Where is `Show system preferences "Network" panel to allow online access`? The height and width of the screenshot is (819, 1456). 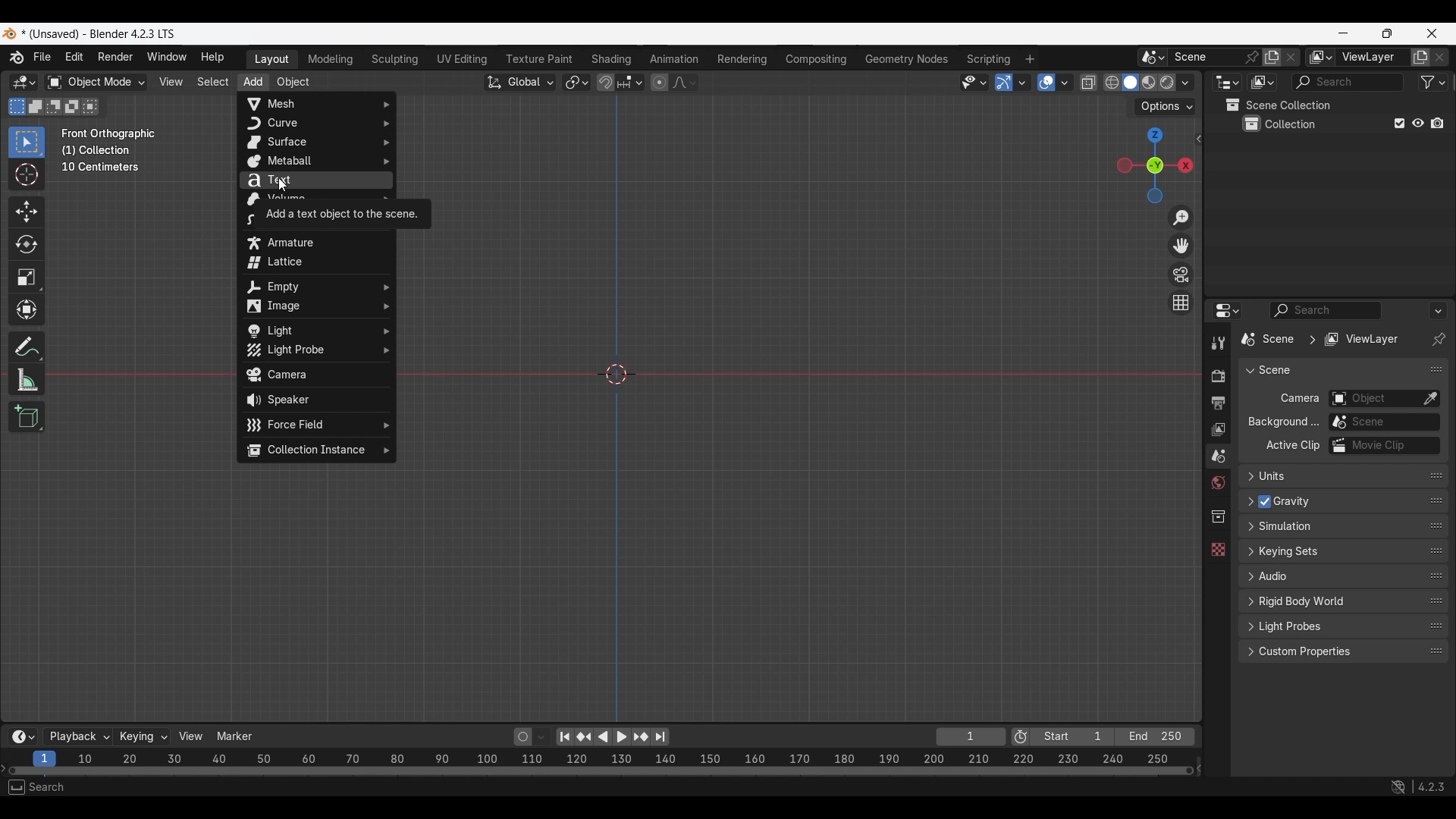
Show system preferences "Network" panel to allow online access is located at coordinates (1397, 788).